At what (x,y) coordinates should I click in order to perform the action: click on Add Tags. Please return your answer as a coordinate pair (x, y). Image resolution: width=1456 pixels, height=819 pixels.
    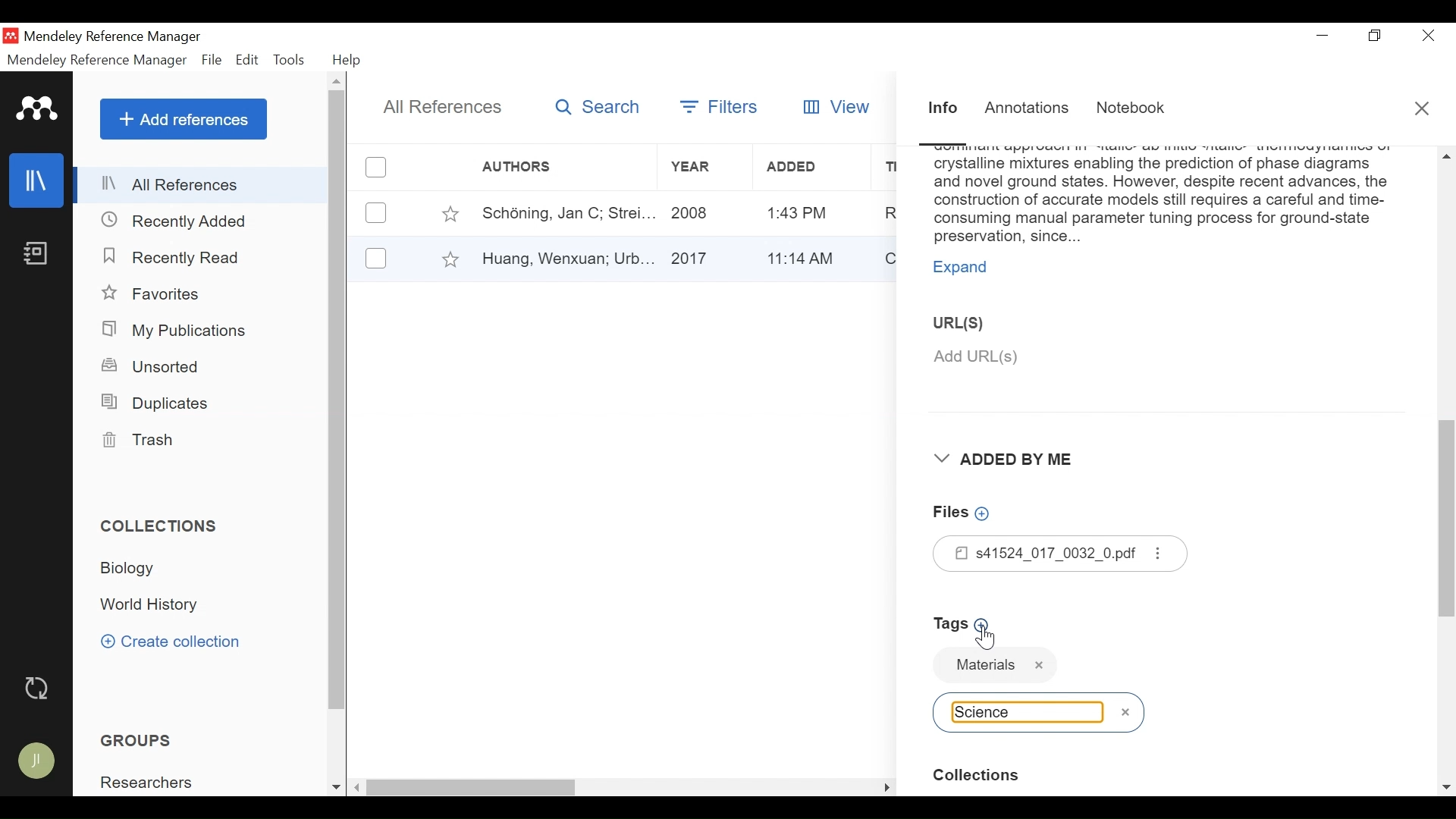
    Looking at the image, I should click on (966, 625).